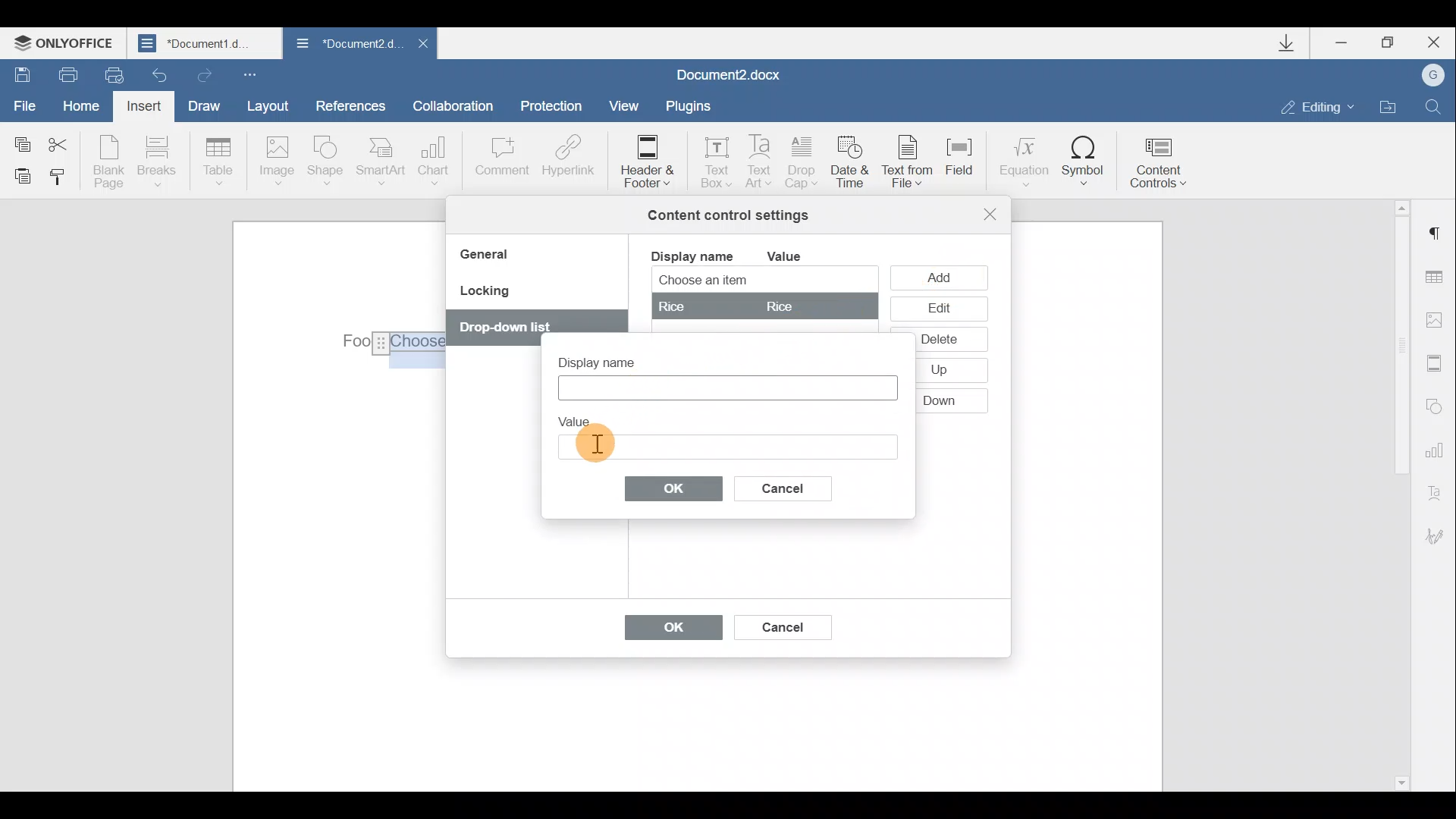 The height and width of the screenshot is (819, 1456). Describe the element at coordinates (802, 164) in the screenshot. I see `Drop cap` at that location.